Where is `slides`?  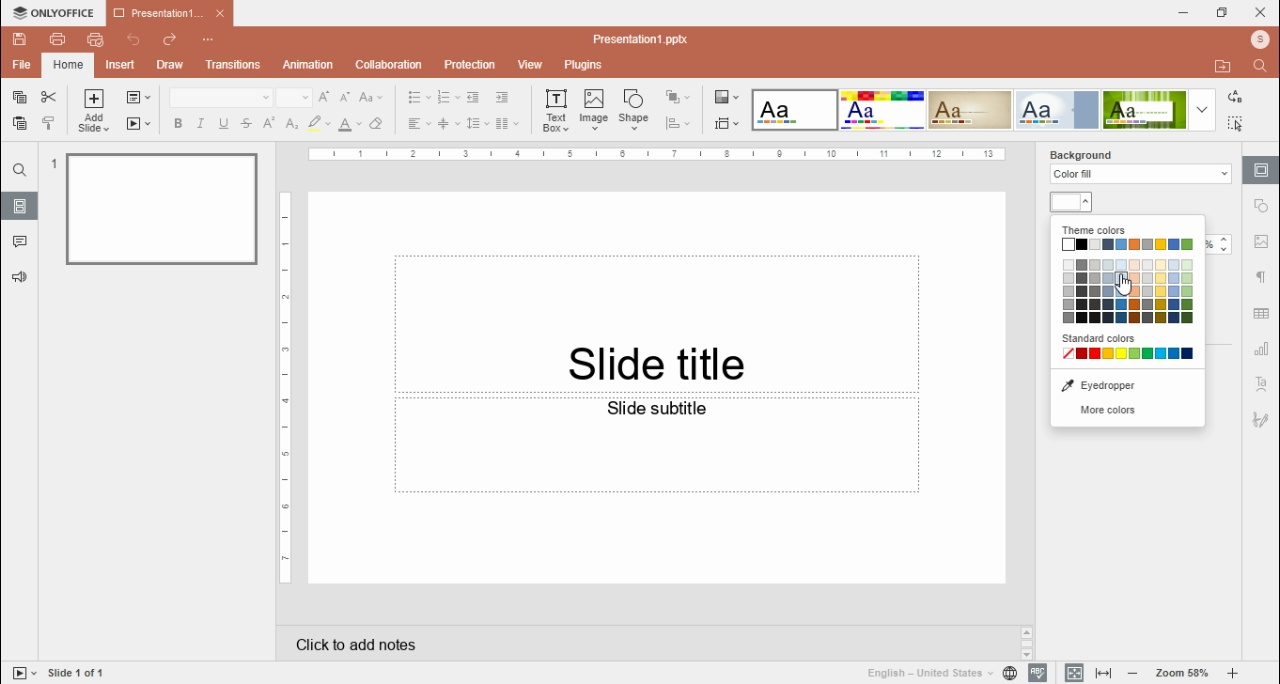
slides is located at coordinates (20, 206).